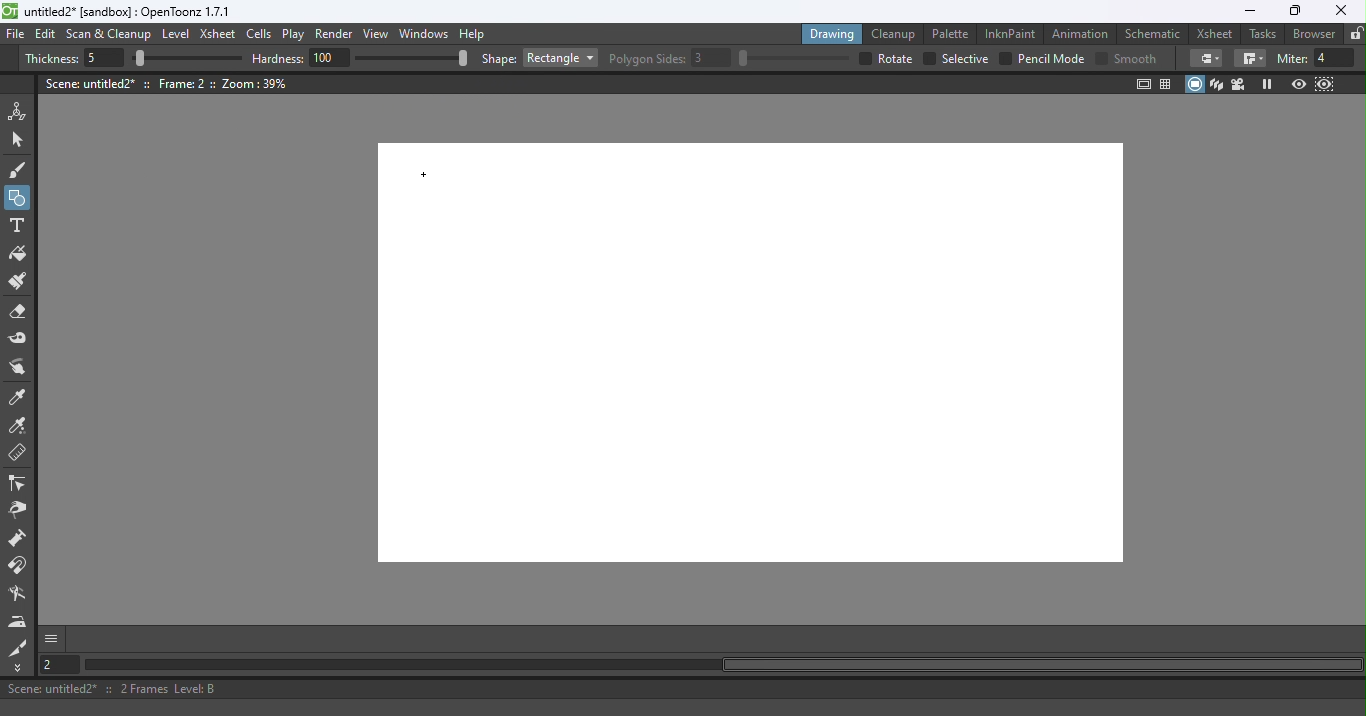 Image resolution: width=1366 pixels, height=716 pixels. Describe the element at coordinates (51, 638) in the screenshot. I see `More options` at that location.